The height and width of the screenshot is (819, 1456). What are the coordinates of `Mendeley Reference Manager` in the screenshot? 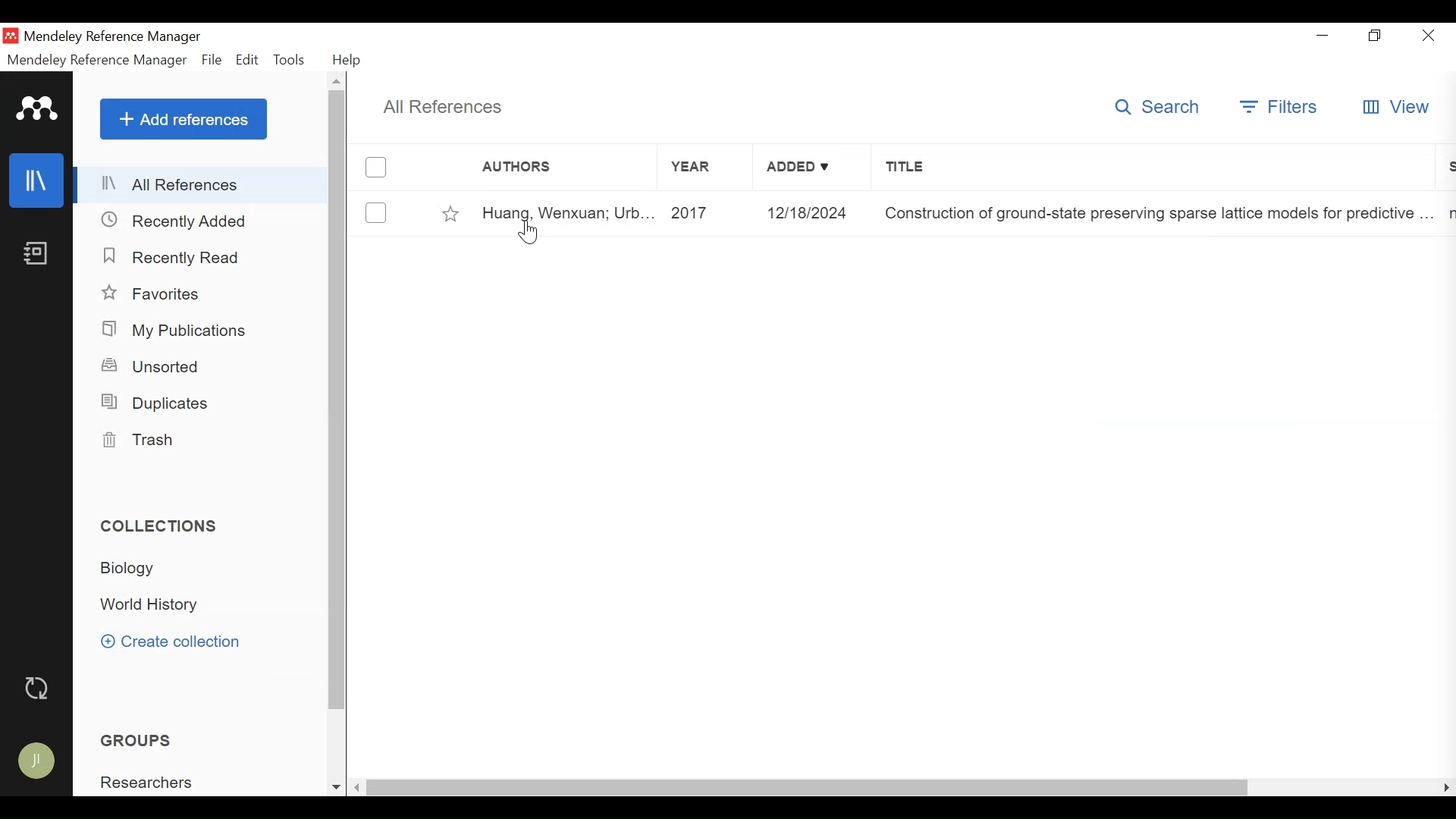 It's located at (111, 39).